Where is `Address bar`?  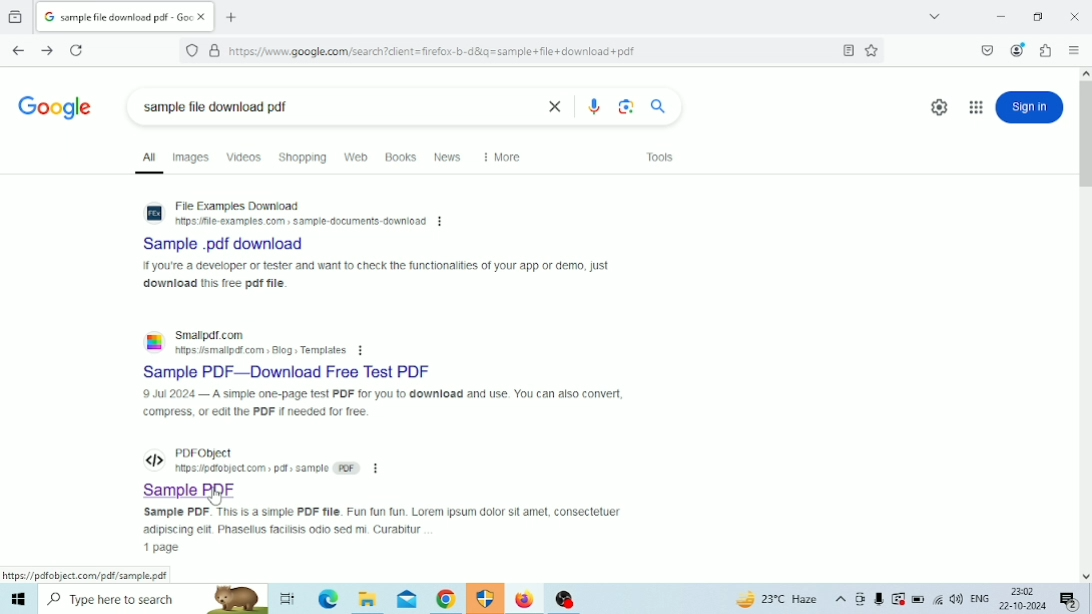
Address bar is located at coordinates (488, 51).